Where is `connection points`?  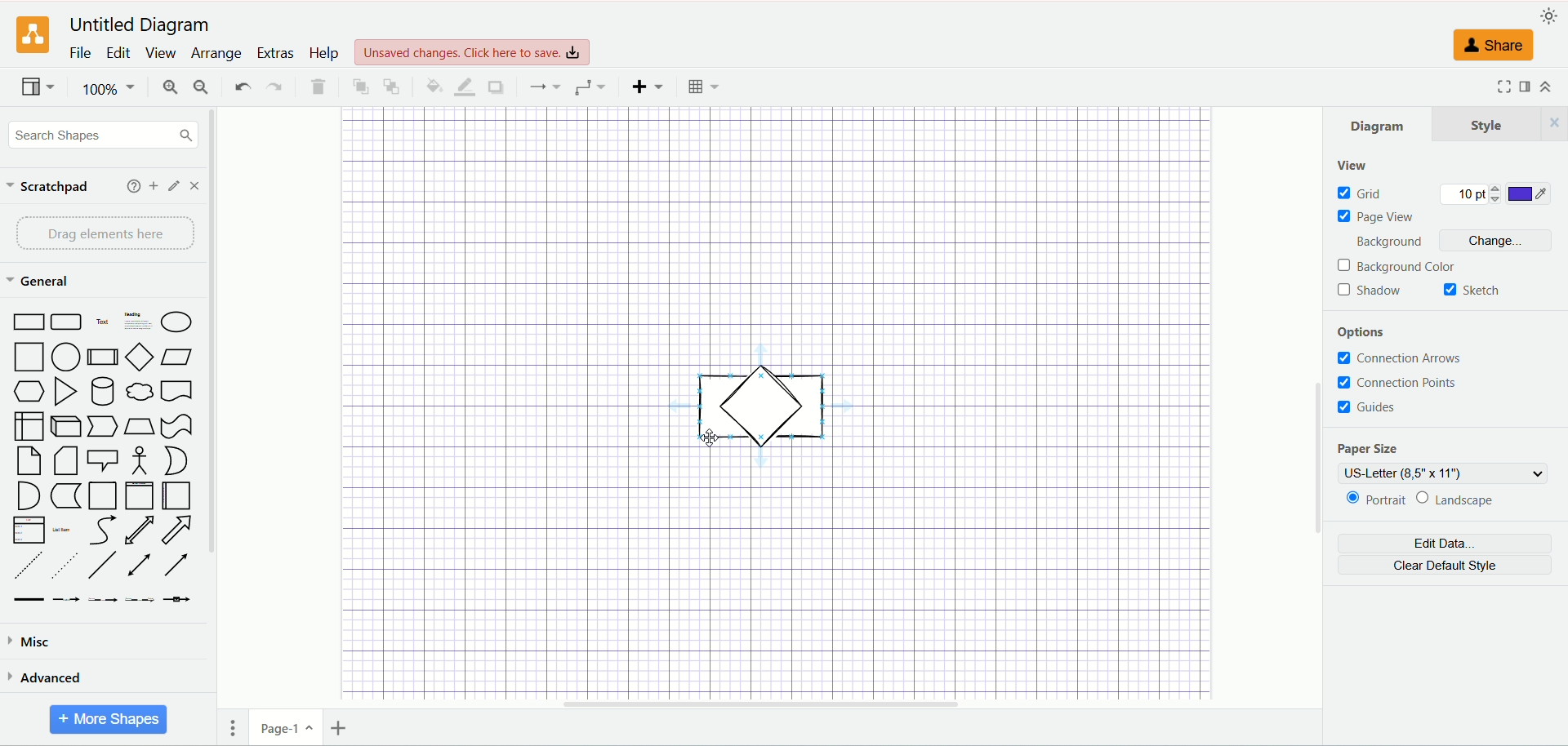
connection points is located at coordinates (1394, 382).